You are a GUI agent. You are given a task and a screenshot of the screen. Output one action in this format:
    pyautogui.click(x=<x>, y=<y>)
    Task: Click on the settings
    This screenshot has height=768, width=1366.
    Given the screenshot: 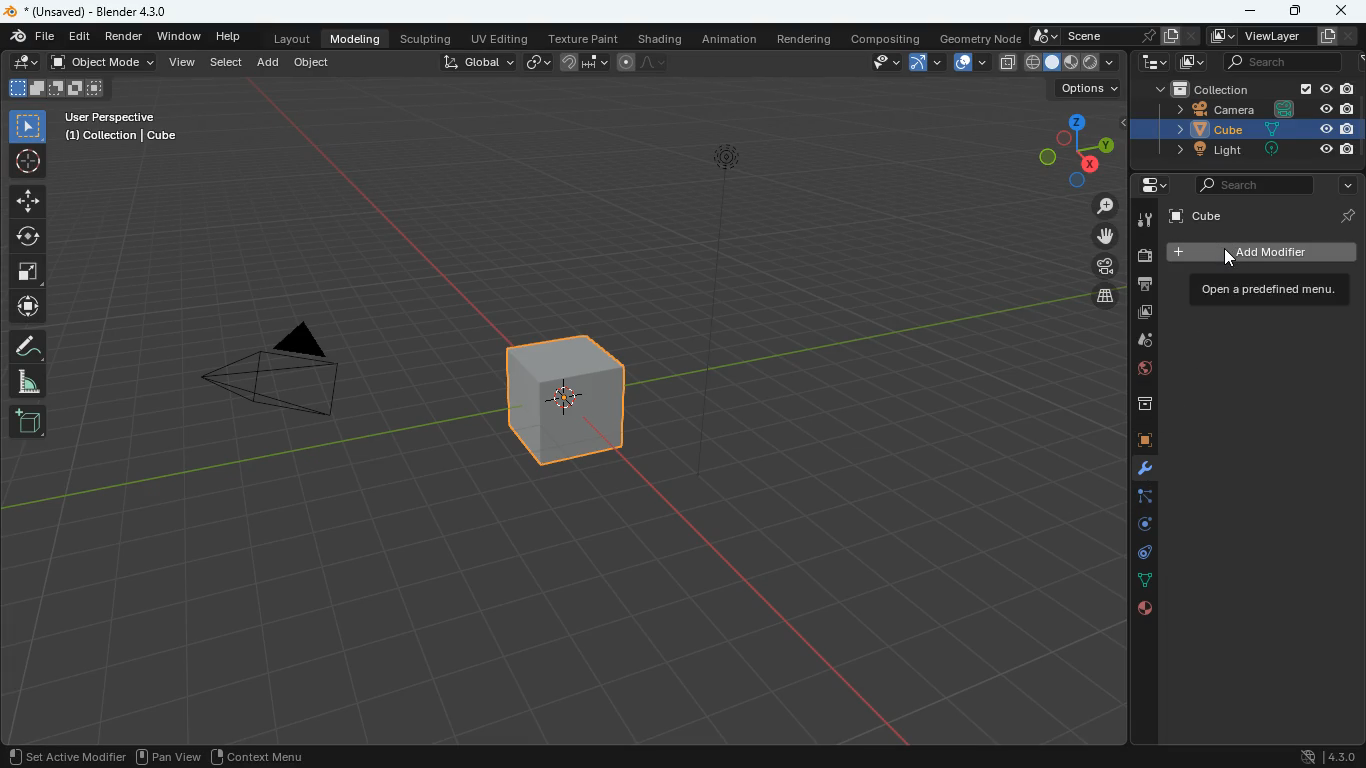 What is the action you would take?
    pyautogui.click(x=1149, y=185)
    